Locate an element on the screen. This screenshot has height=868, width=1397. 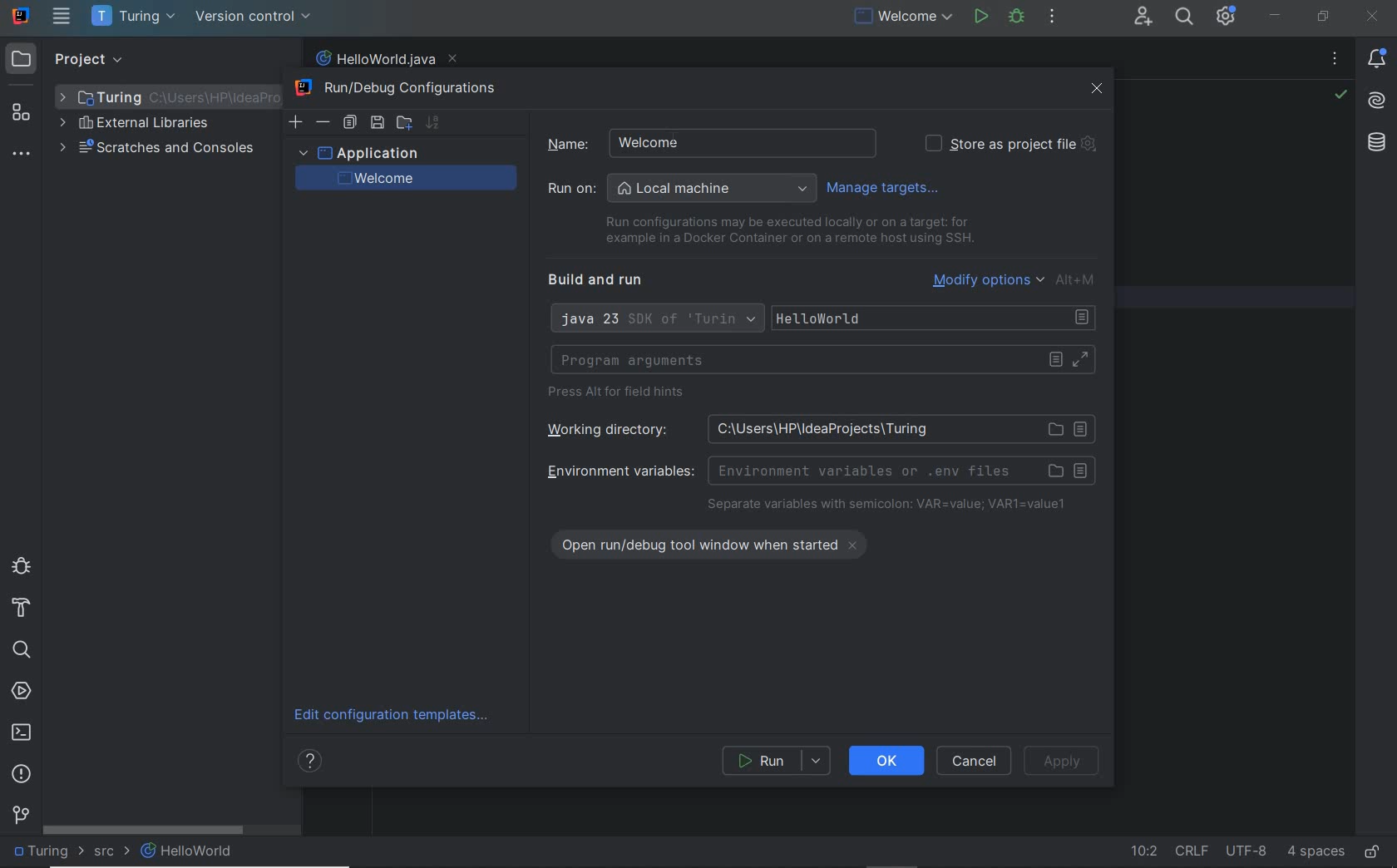
debug is located at coordinates (1017, 17).